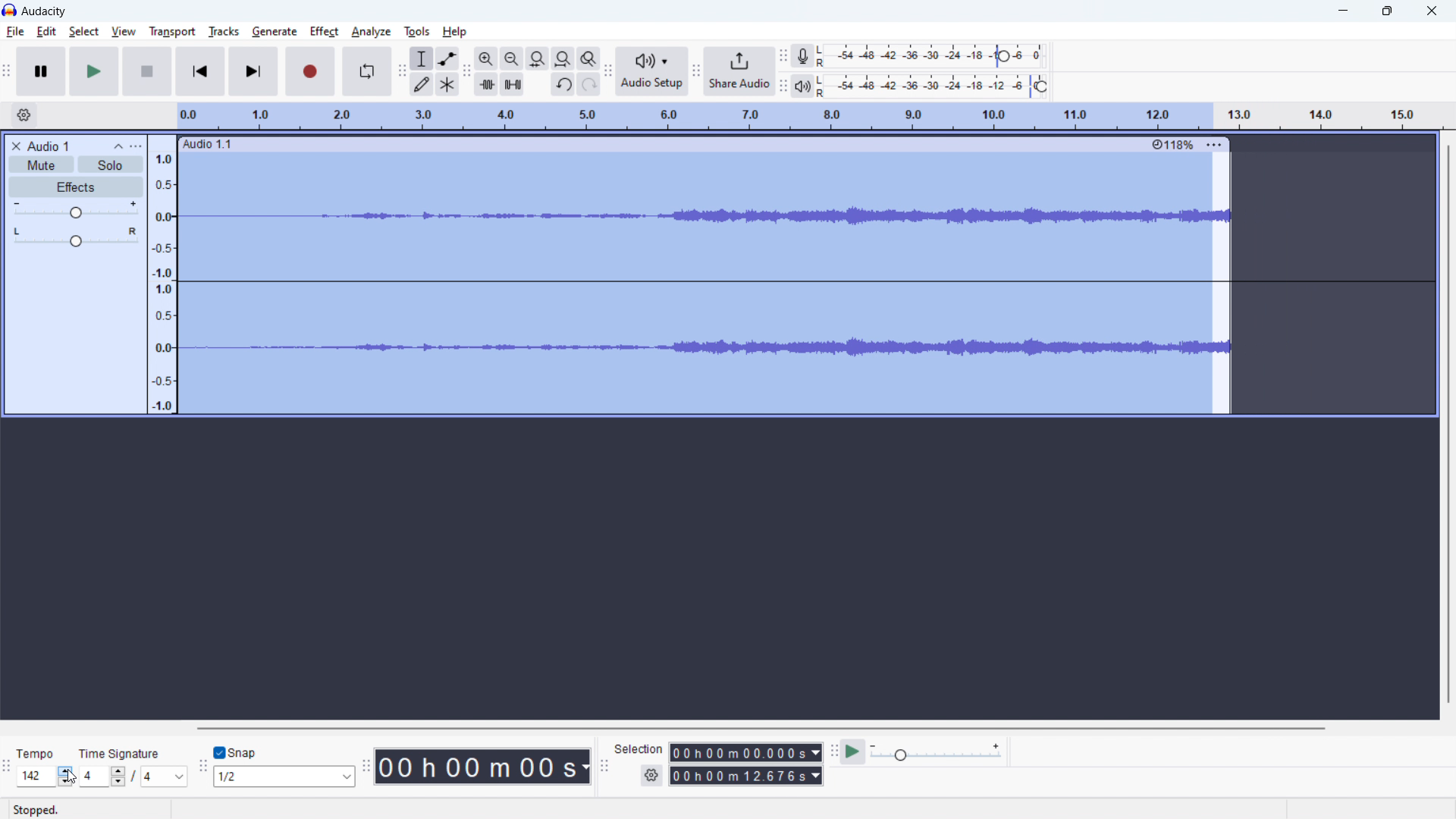  What do you see at coordinates (118, 145) in the screenshot?
I see `collapse` at bounding box center [118, 145].